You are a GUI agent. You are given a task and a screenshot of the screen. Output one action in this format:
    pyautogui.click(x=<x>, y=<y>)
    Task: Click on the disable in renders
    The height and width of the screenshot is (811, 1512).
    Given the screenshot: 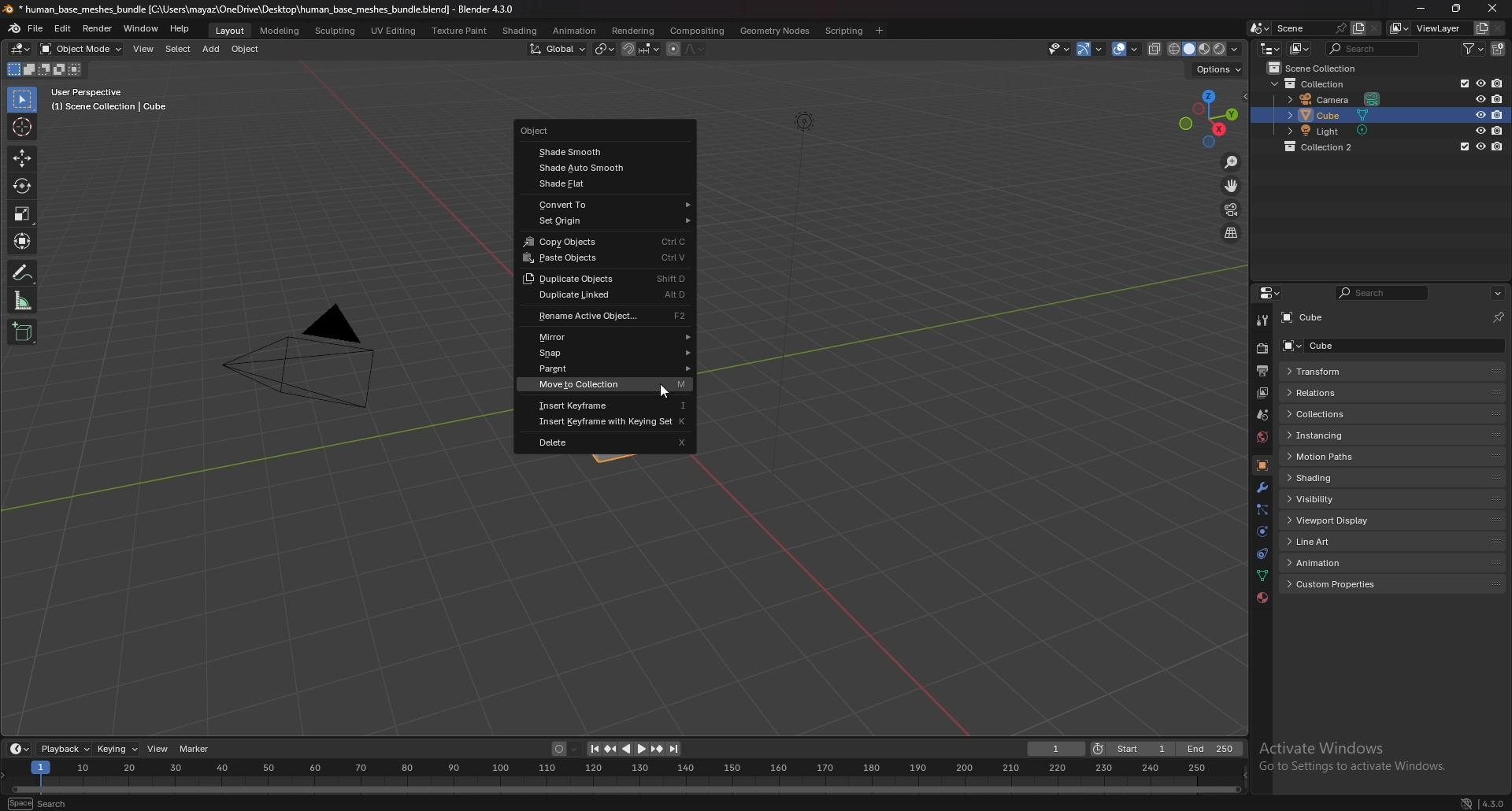 What is the action you would take?
    pyautogui.click(x=1499, y=99)
    